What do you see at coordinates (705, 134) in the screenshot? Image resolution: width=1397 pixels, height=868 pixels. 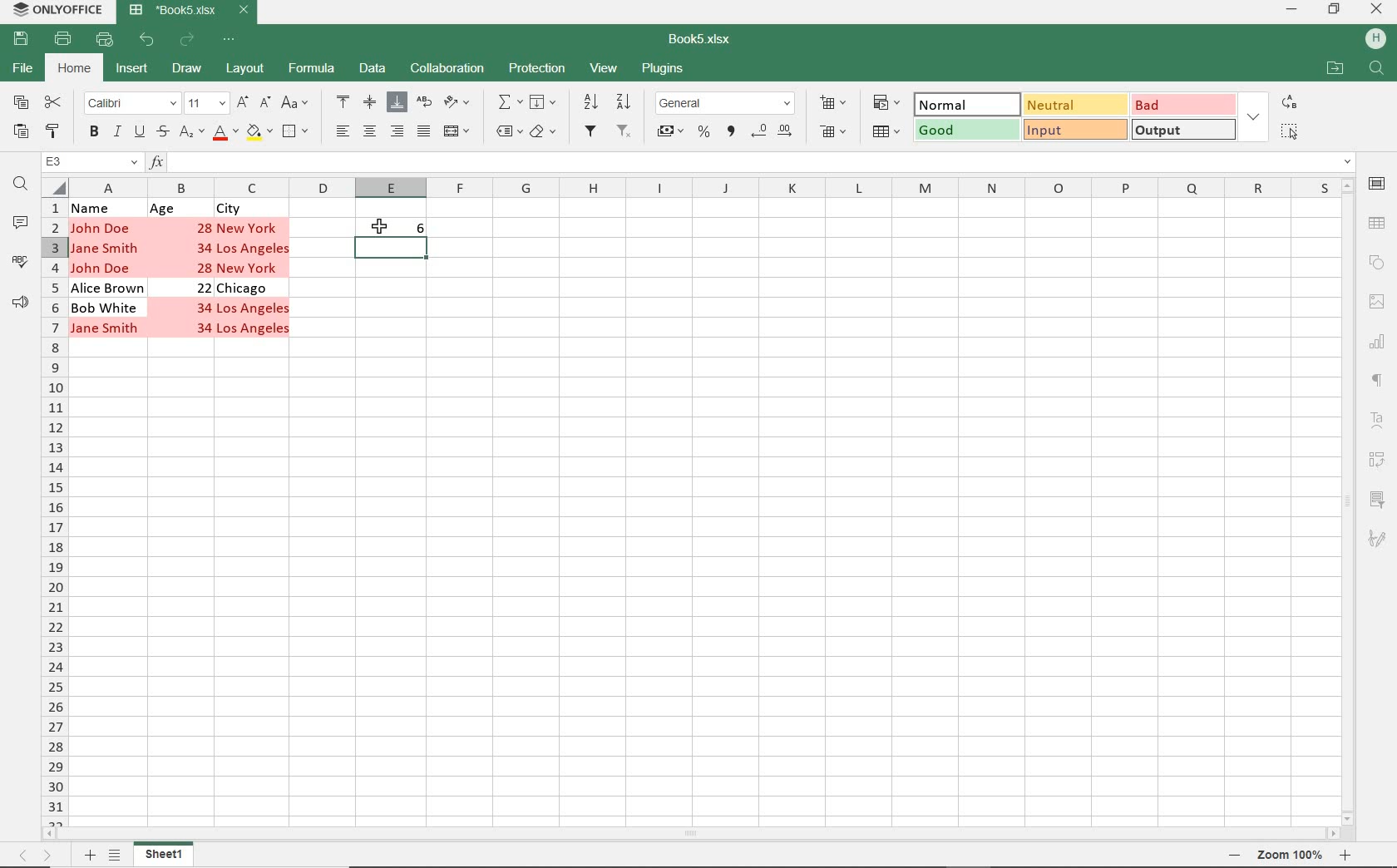 I see `PERCENT STYLE` at bounding box center [705, 134].